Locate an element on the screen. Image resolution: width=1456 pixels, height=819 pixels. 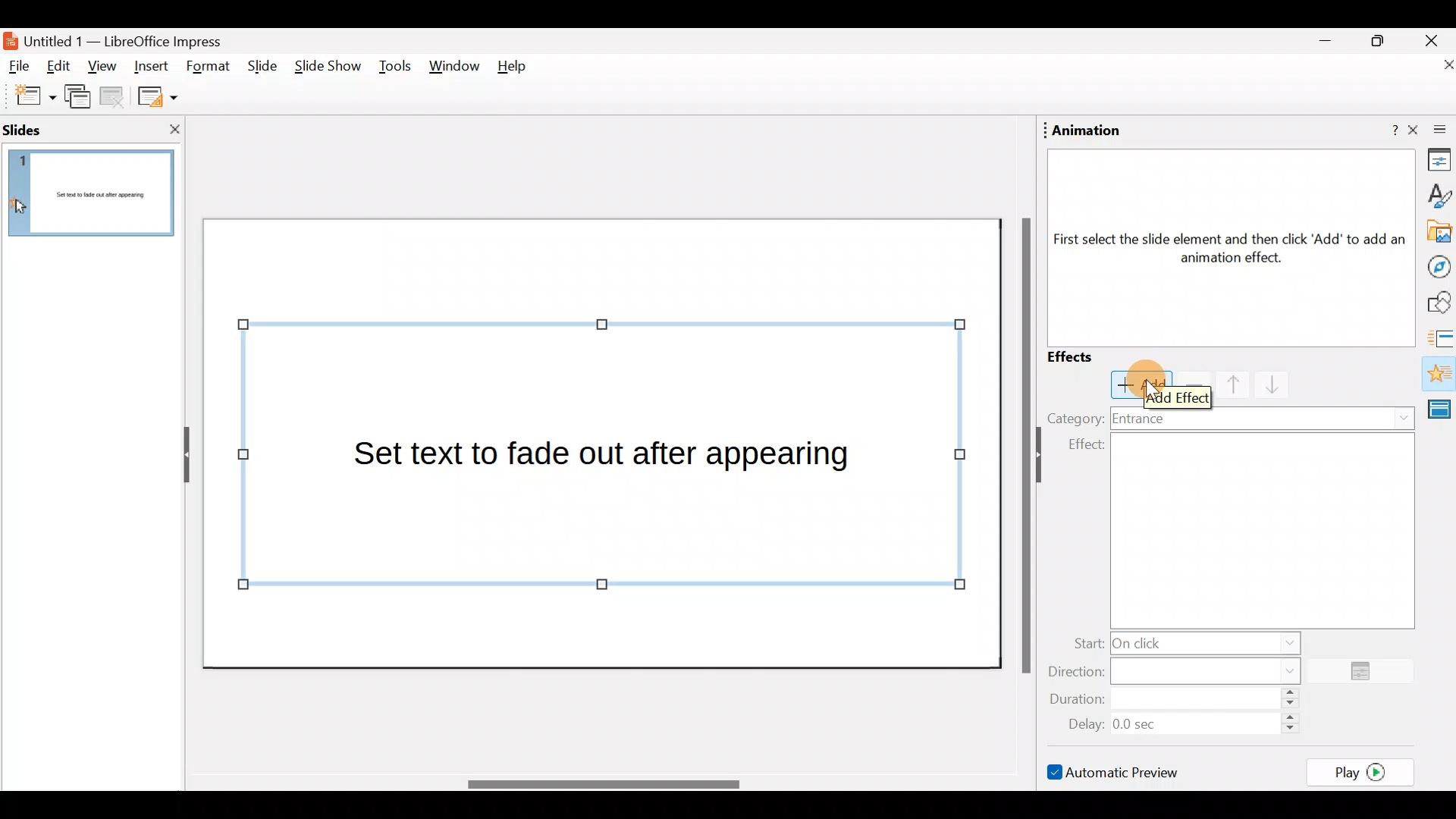
Automatic preview is located at coordinates (1116, 771).